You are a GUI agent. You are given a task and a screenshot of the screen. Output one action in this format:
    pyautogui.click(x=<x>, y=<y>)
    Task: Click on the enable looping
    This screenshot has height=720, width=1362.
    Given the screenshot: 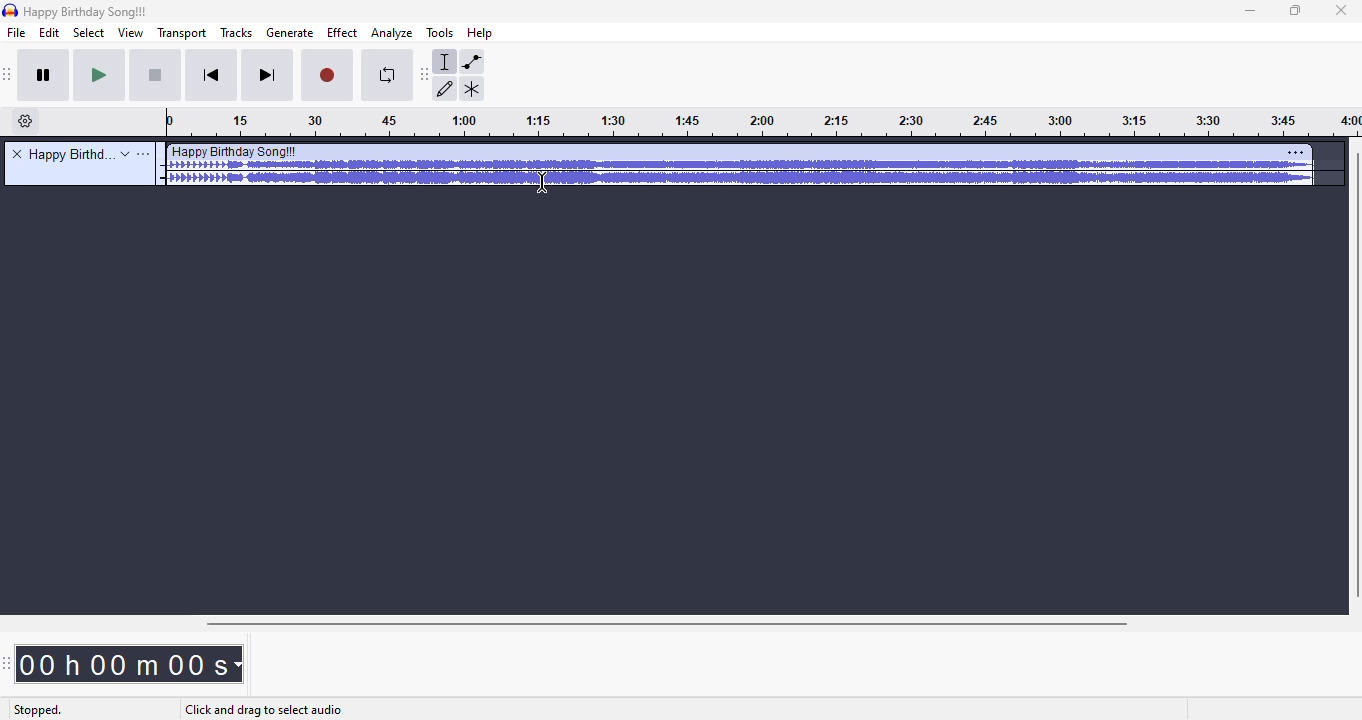 What is the action you would take?
    pyautogui.click(x=384, y=77)
    